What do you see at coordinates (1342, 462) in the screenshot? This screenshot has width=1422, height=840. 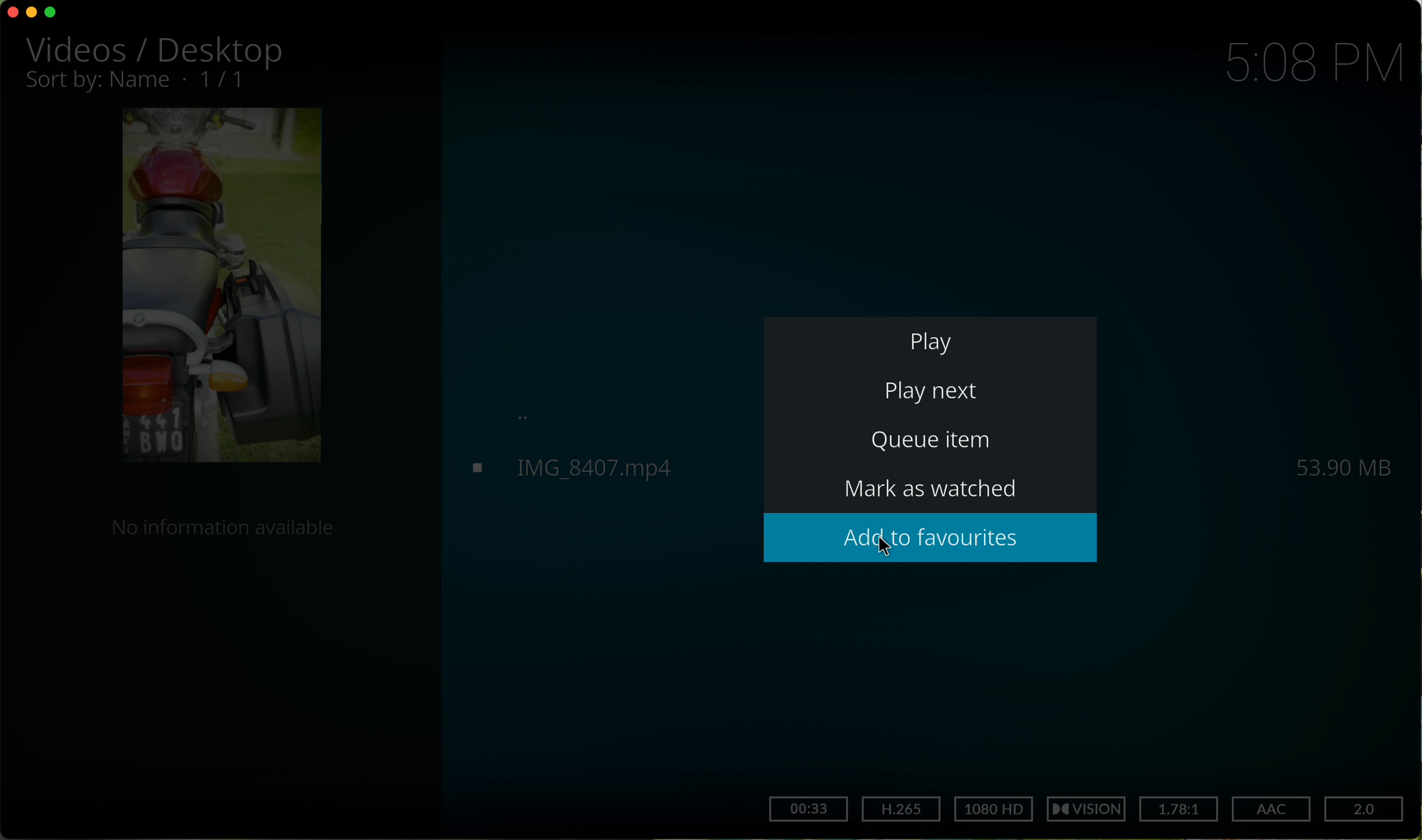 I see `53.90 MB` at bounding box center [1342, 462].